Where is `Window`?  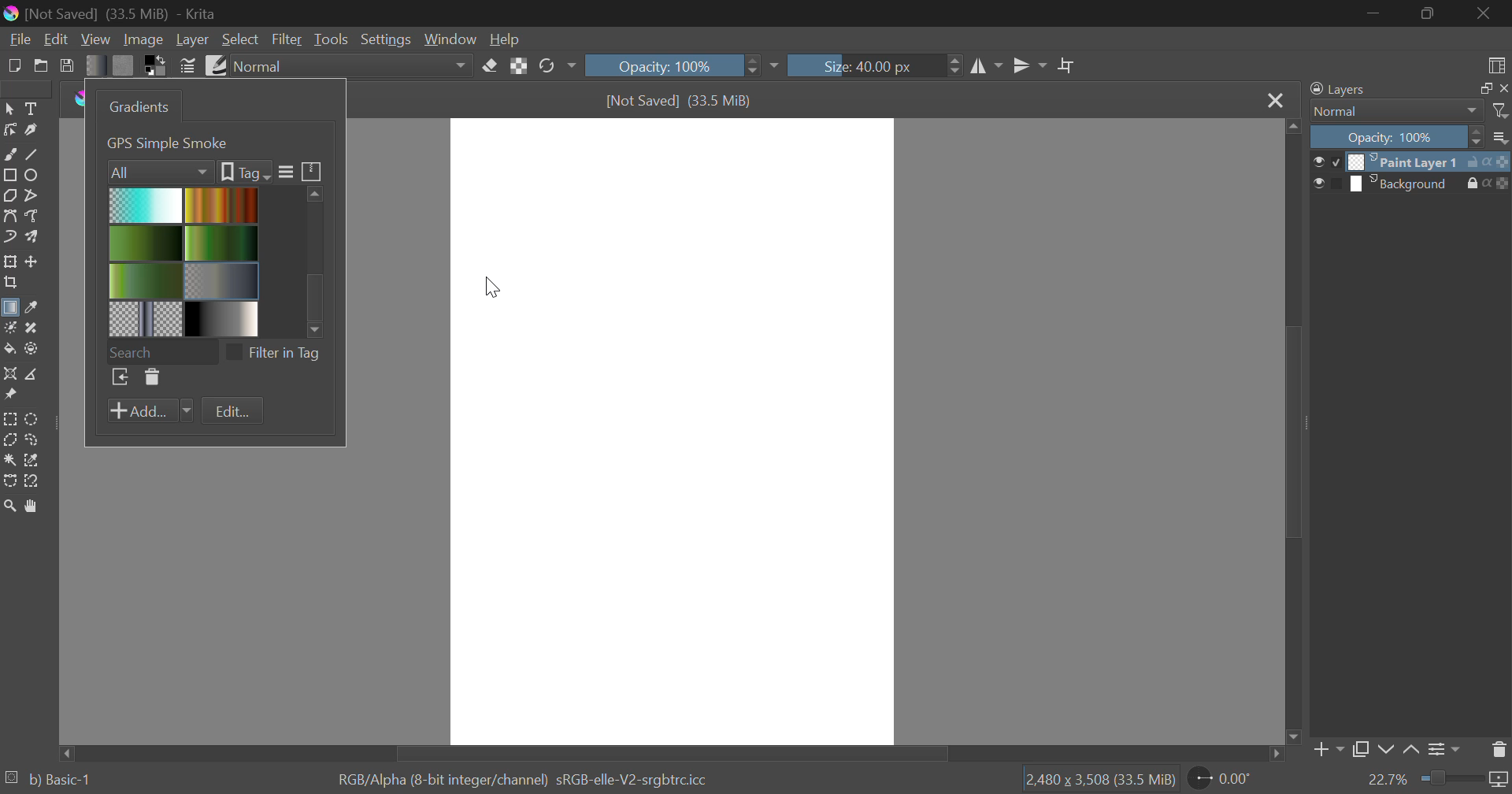 Window is located at coordinates (449, 39).